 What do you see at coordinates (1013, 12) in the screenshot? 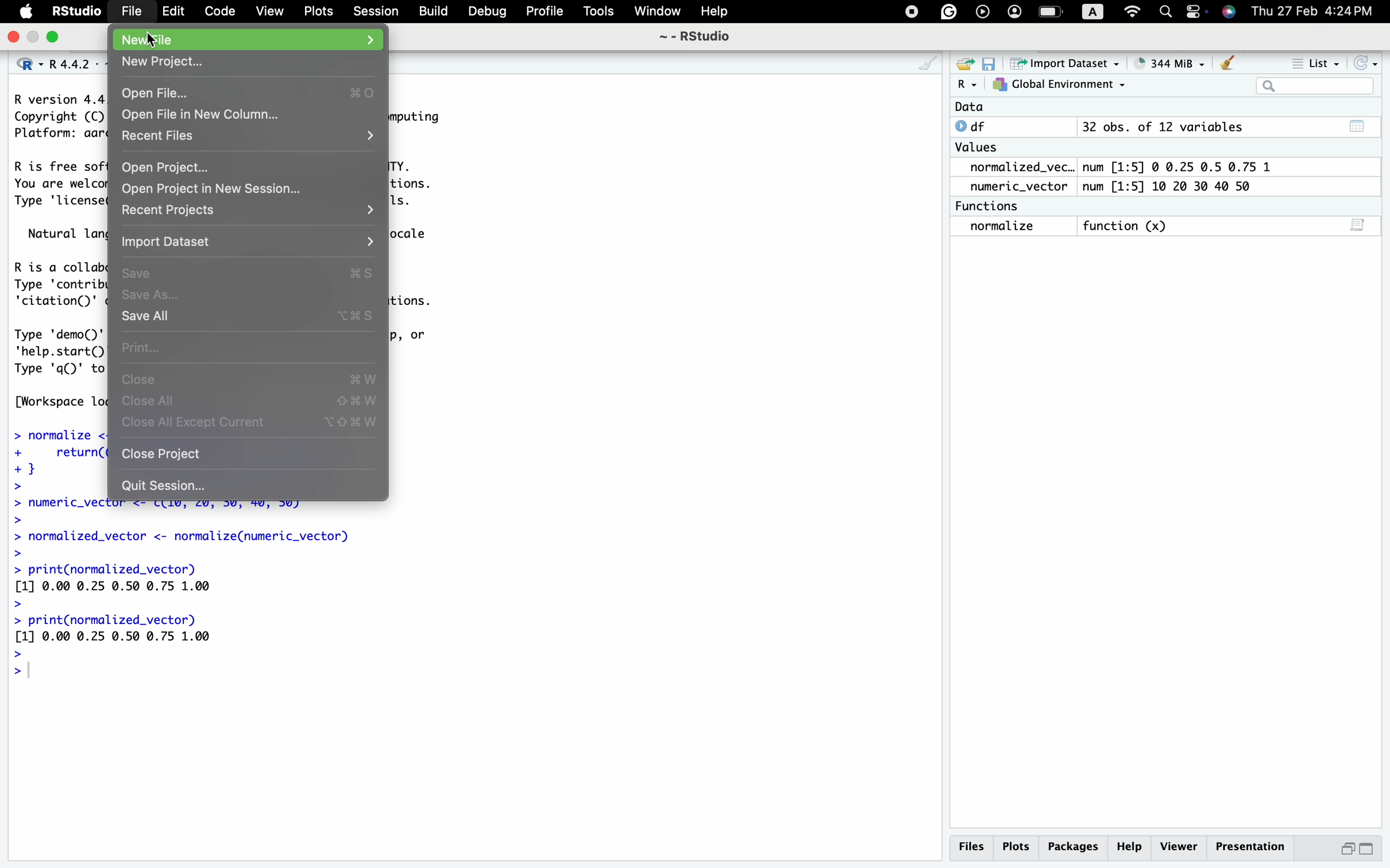
I see `profile` at bounding box center [1013, 12].